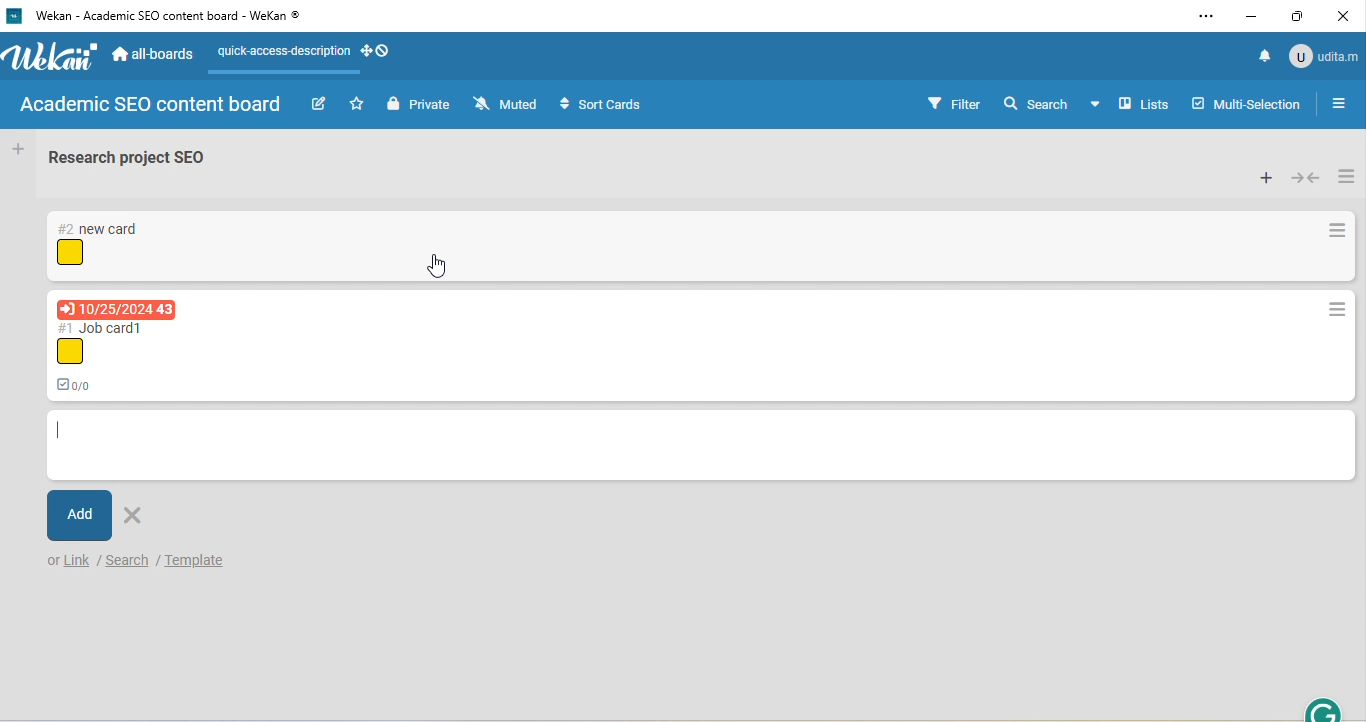 The height and width of the screenshot is (722, 1366). Describe the element at coordinates (70, 253) in the screenshot. I see `icon` at that location.